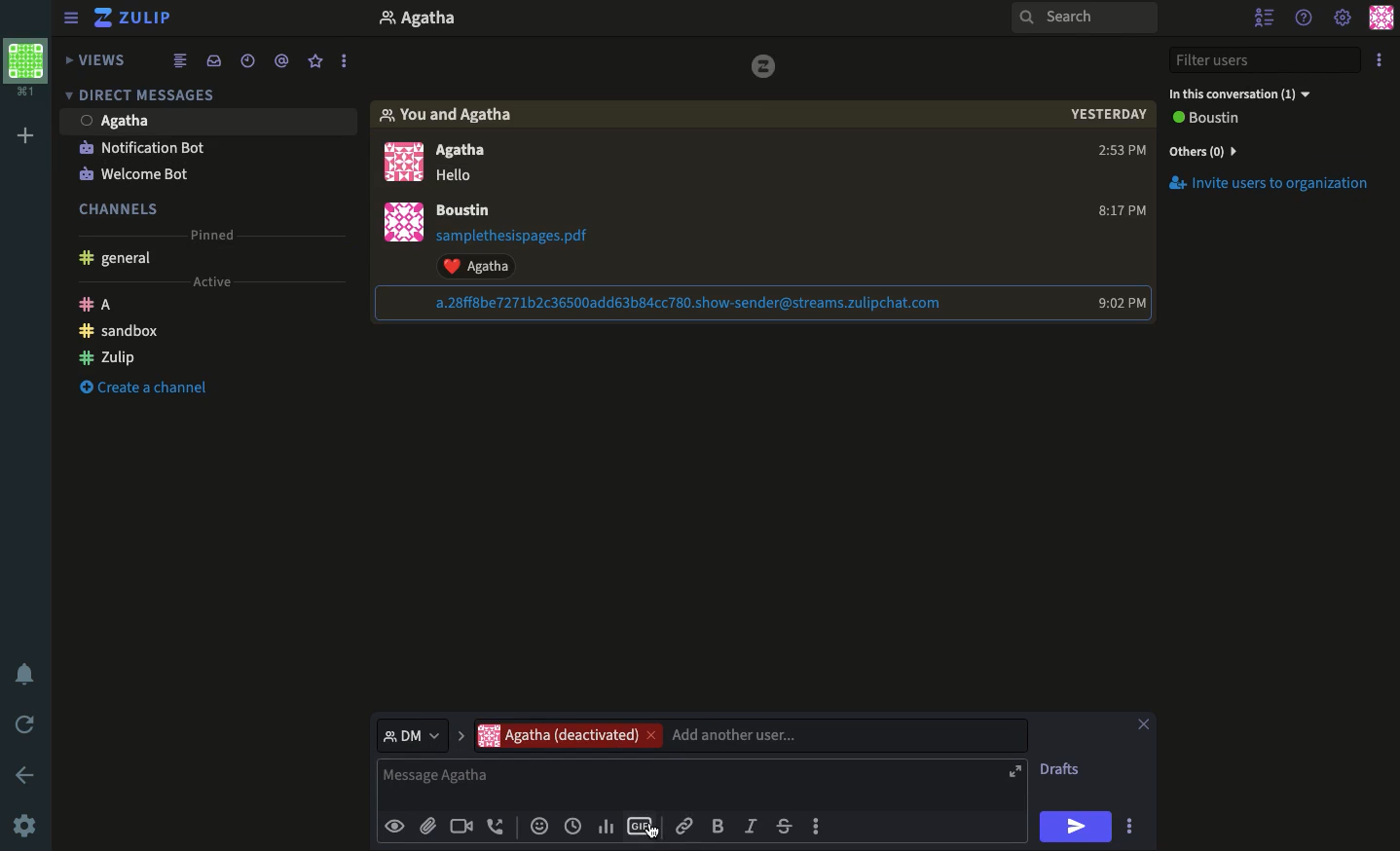 The height and width of the screenshot is (851, 1400). What do you see at coordinates (142, 18) in the screenshot?
I see `Zulip` at bounding box center [142, 18].